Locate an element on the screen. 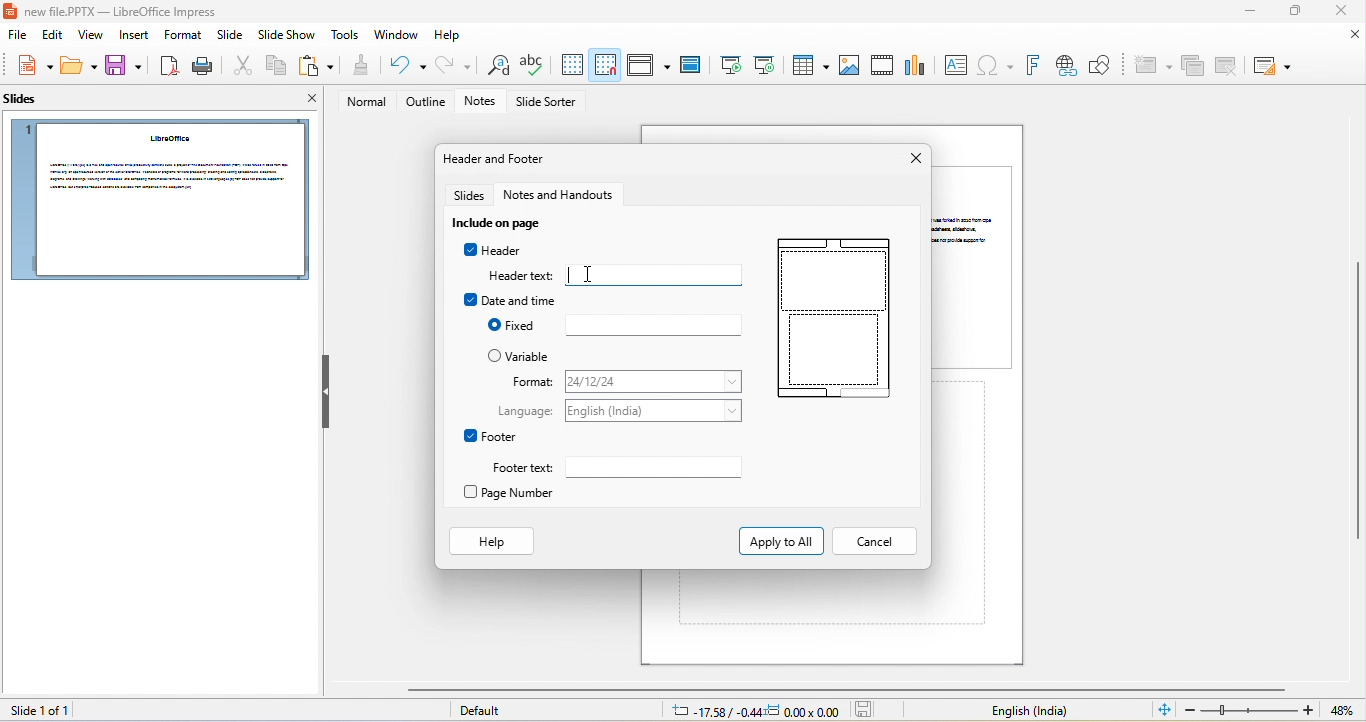 Image resolution: width=1366 pixels, height=722 pixels. Footer text: is located at coordinates (517, 468).